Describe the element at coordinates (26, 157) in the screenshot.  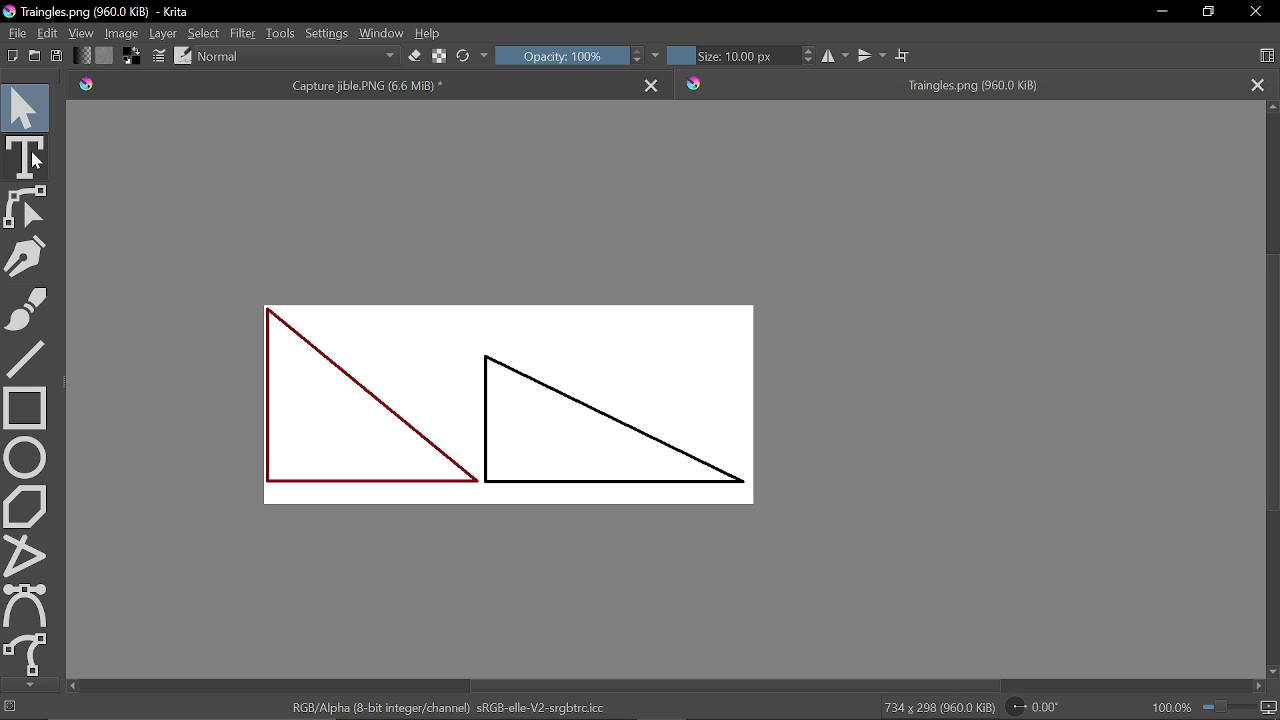
I see `text tool` at that location.